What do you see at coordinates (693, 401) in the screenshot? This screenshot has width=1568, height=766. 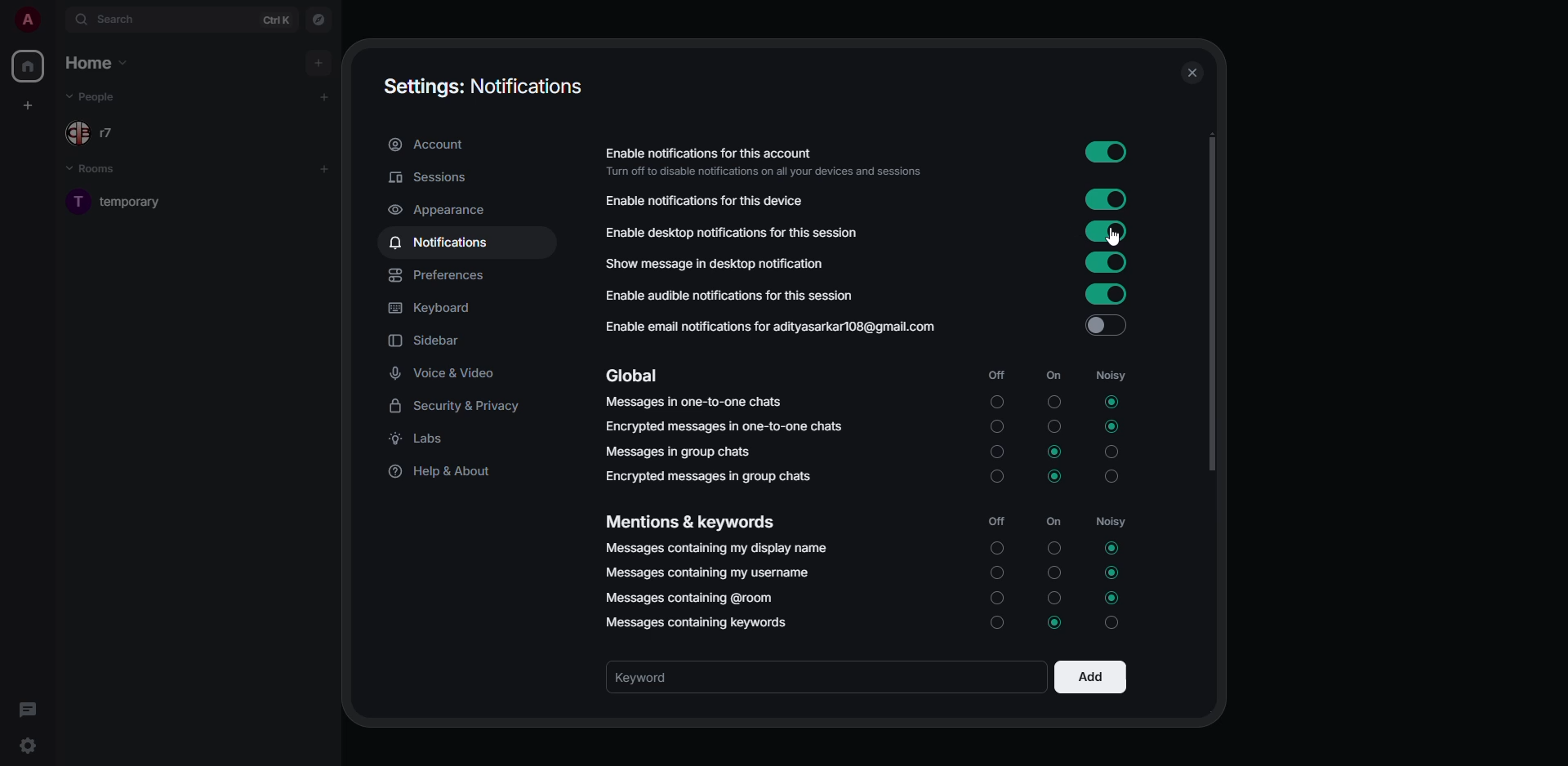 I see `messages in one to one chats` at bounding box center [693, 401].